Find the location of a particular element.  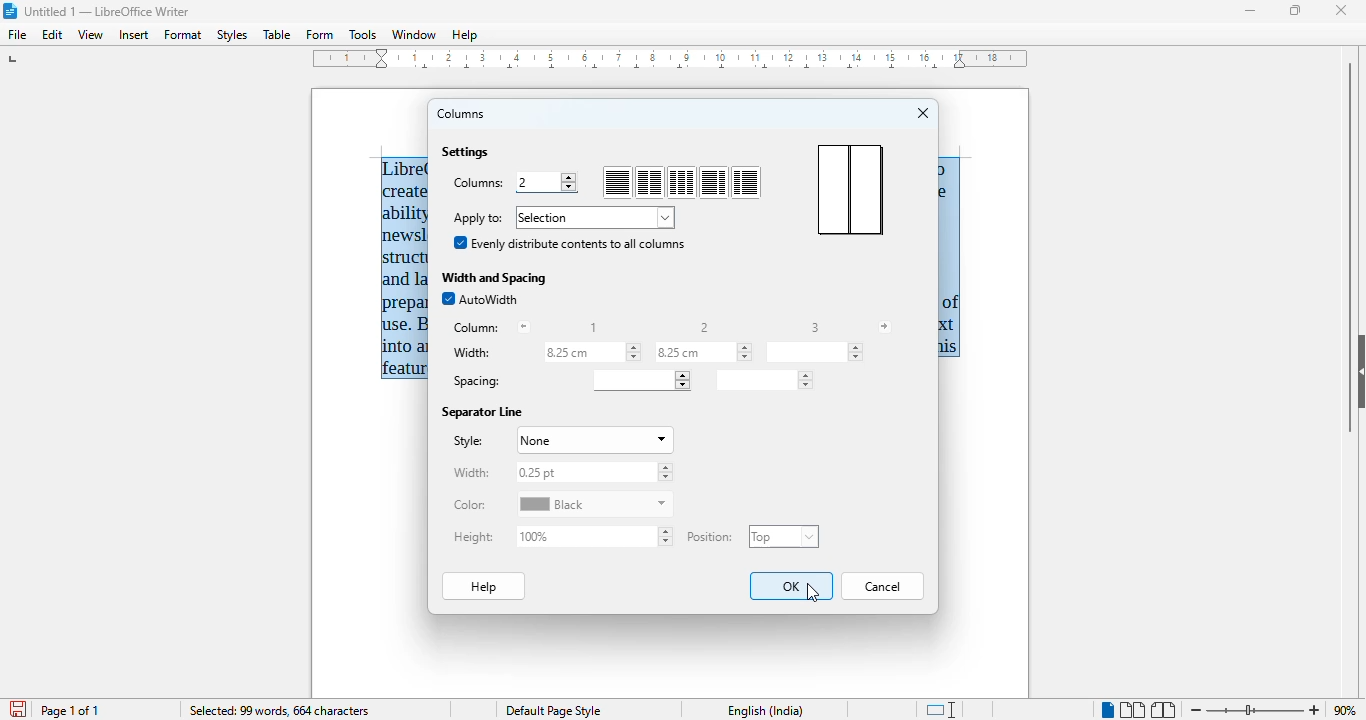

zoom in is located at coordinates (1315, 710).